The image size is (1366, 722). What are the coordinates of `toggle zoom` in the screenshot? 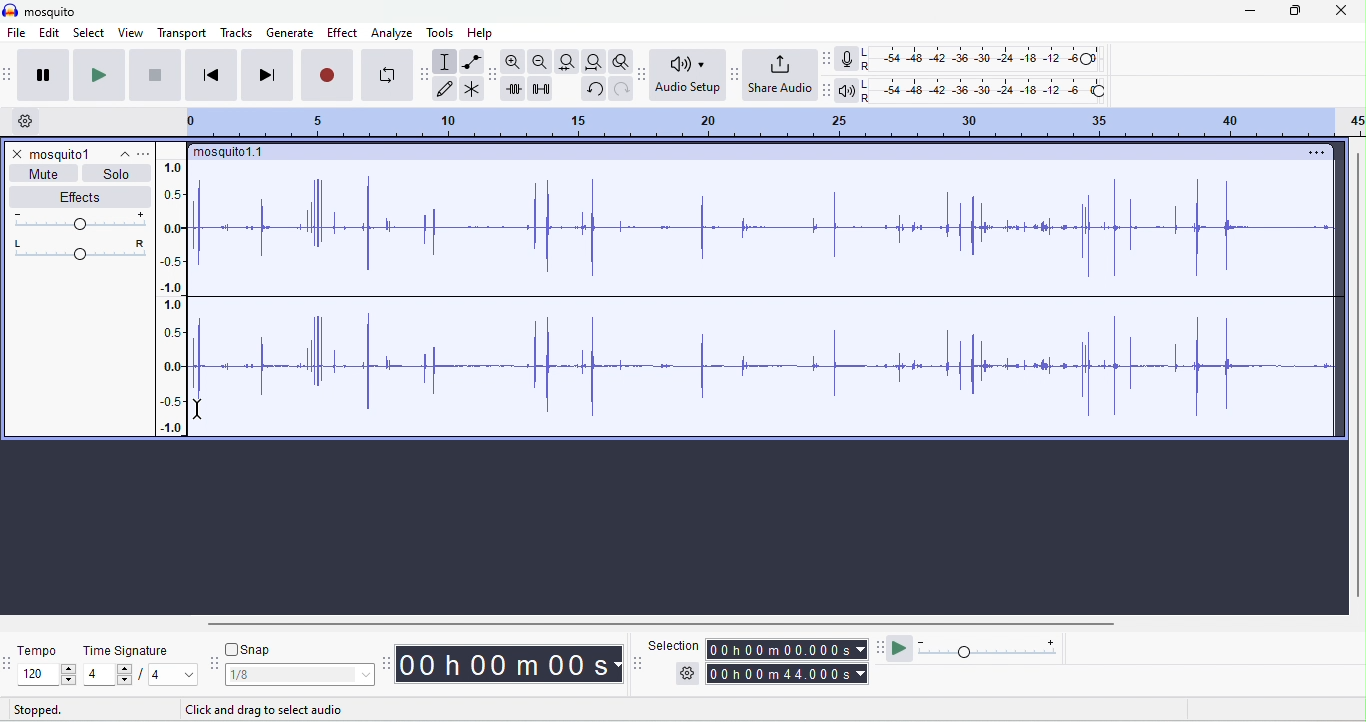 It's located at (622, 61).